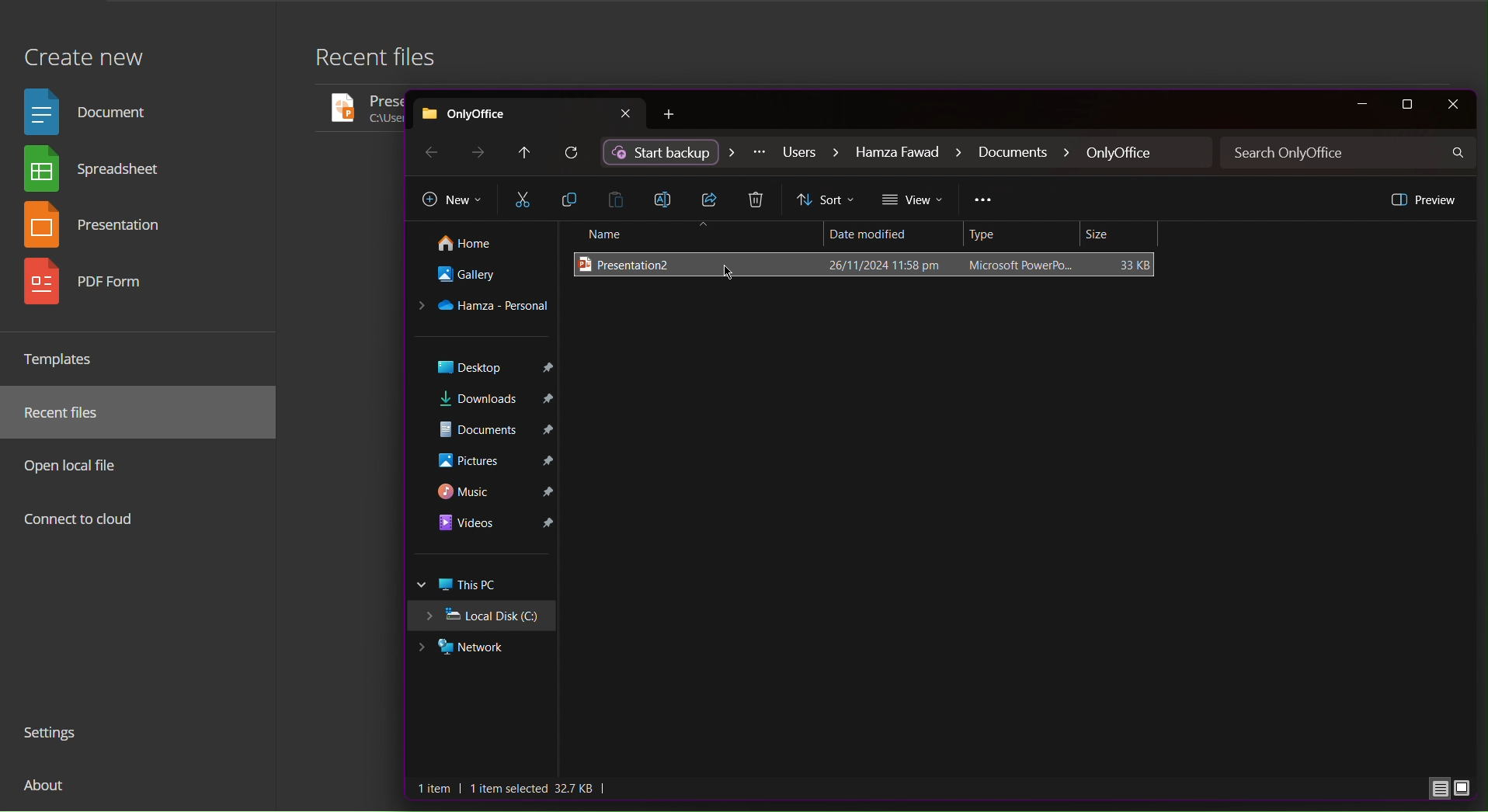 The width and height of the screenshot is (1488, 812). What do you see at coordinates (573, 154) in the screenshot?
I see `Refresh` at bounding box center [573, 154].